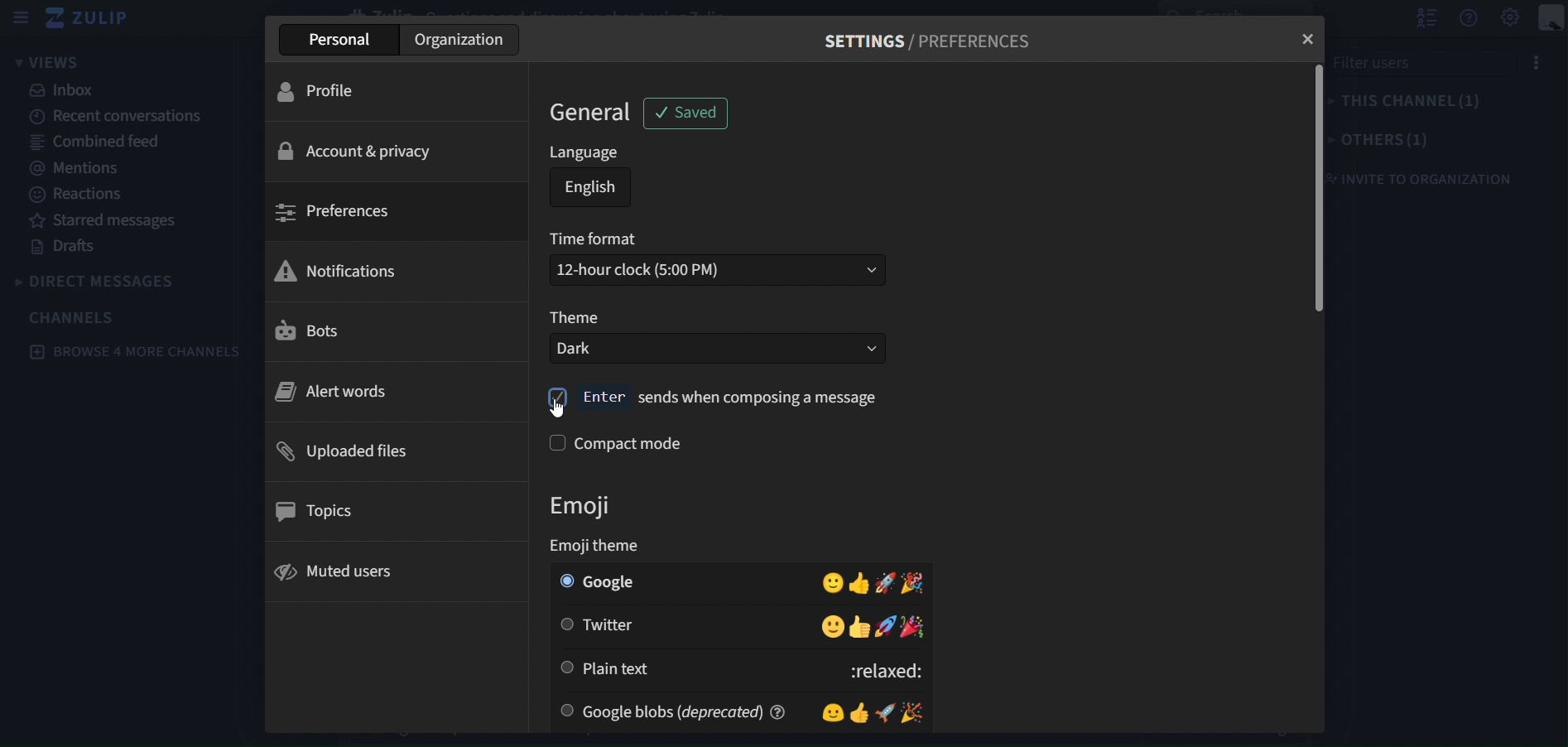 The height and width of the screenshot is (747, 1568). What do you see at coordinates (1552, 19) in the screenshot?
I see `personal menu` at bounding box center [1552, 19].